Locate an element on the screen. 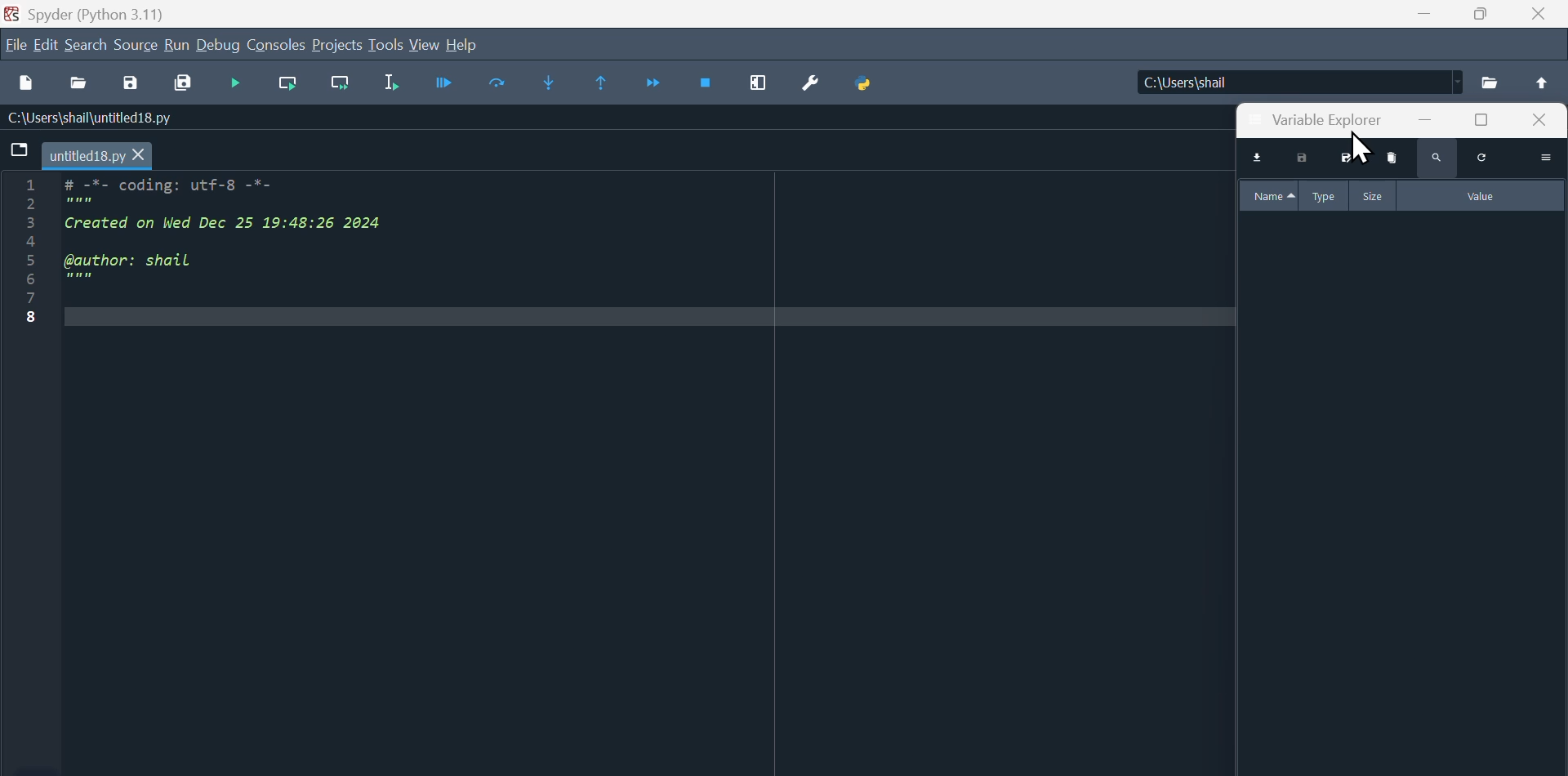 This screenshot has width=1568, height=776. Help is located at coordinates (467, 43).